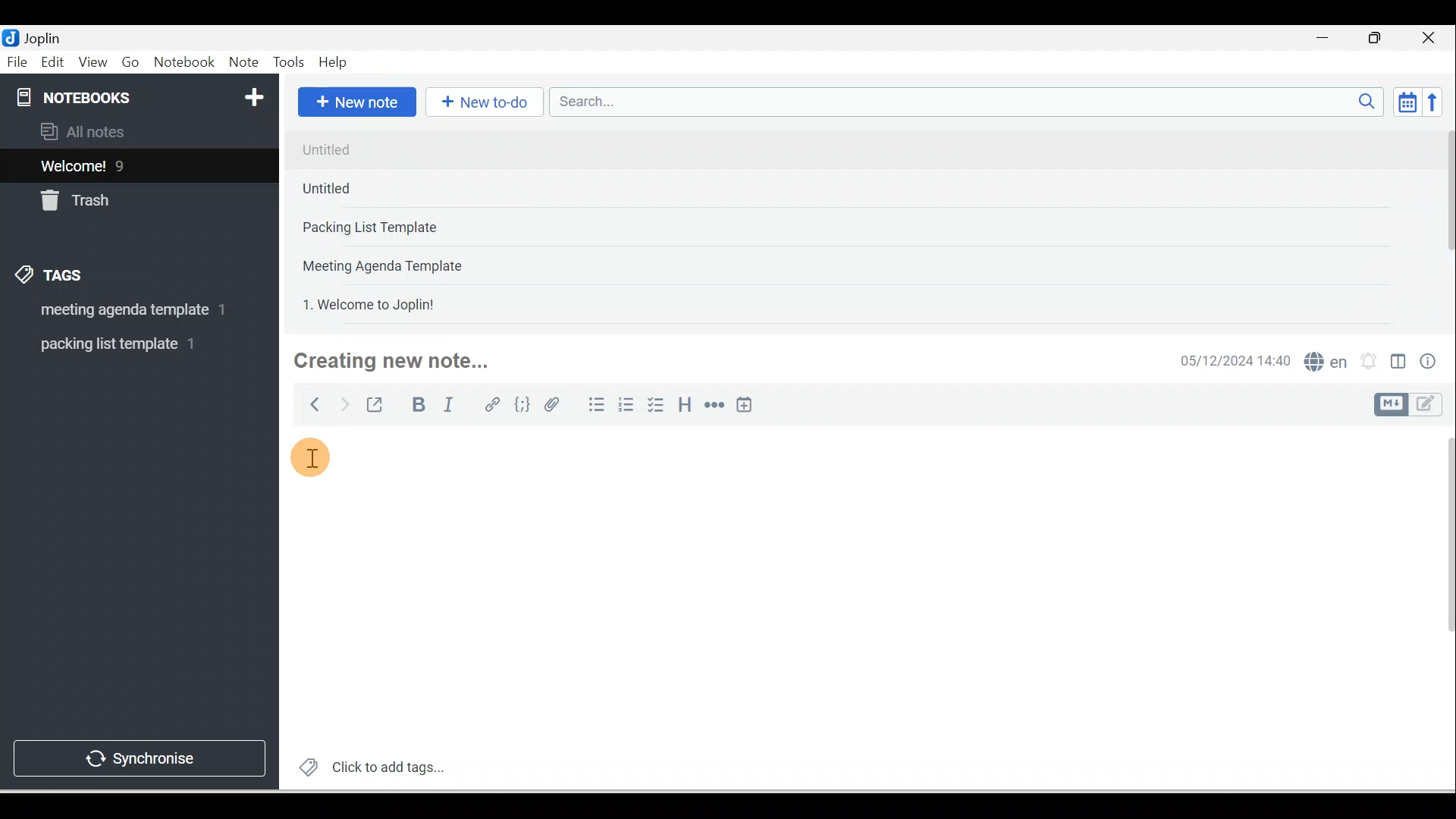 This screenshot has height=819, width=1456. What do you see at coordinates (416, 405) in the screenshot?
I see `Bold` at bounding box center [416, 405].